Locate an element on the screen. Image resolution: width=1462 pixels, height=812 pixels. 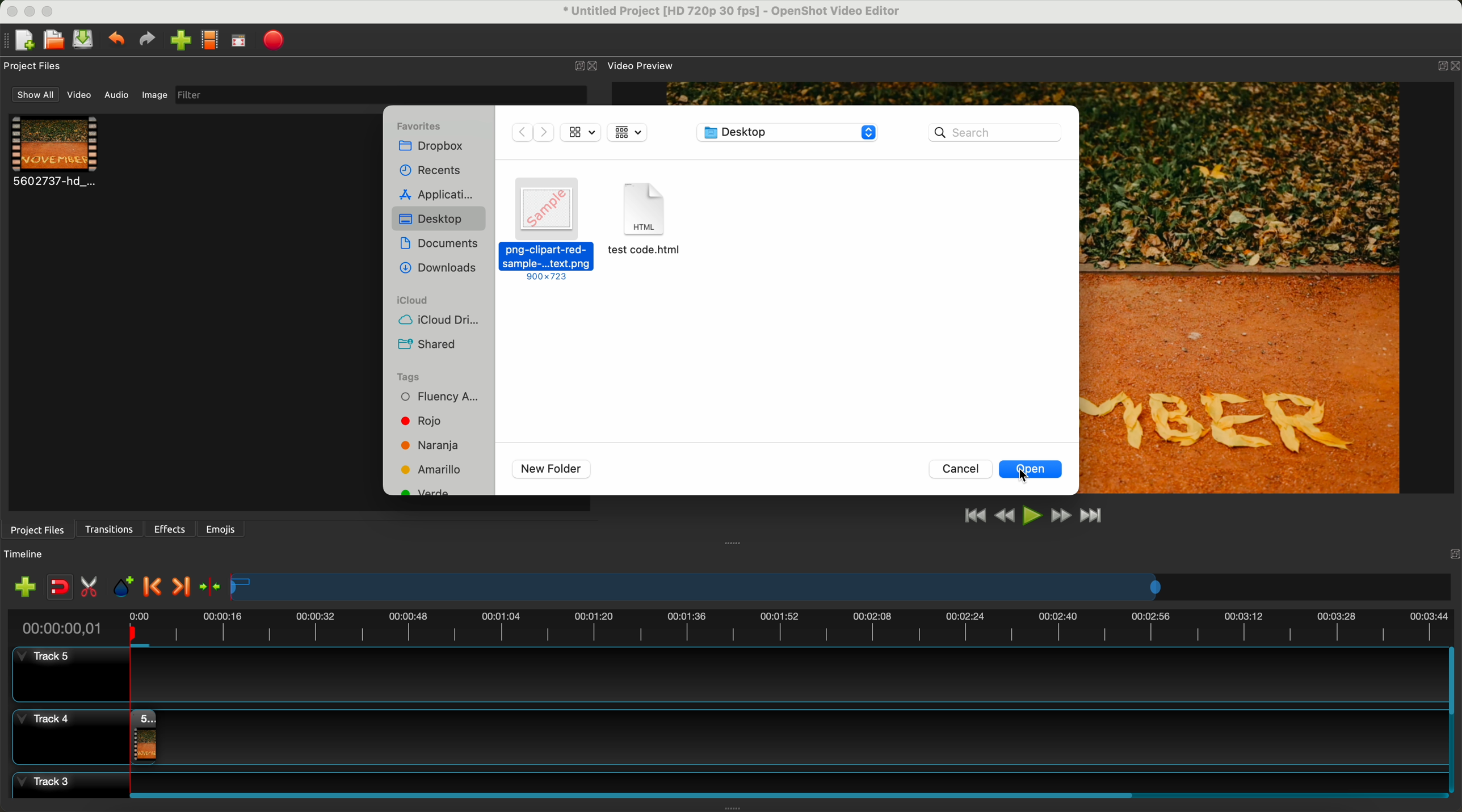
track 3 is located at coordinates (726, 780).